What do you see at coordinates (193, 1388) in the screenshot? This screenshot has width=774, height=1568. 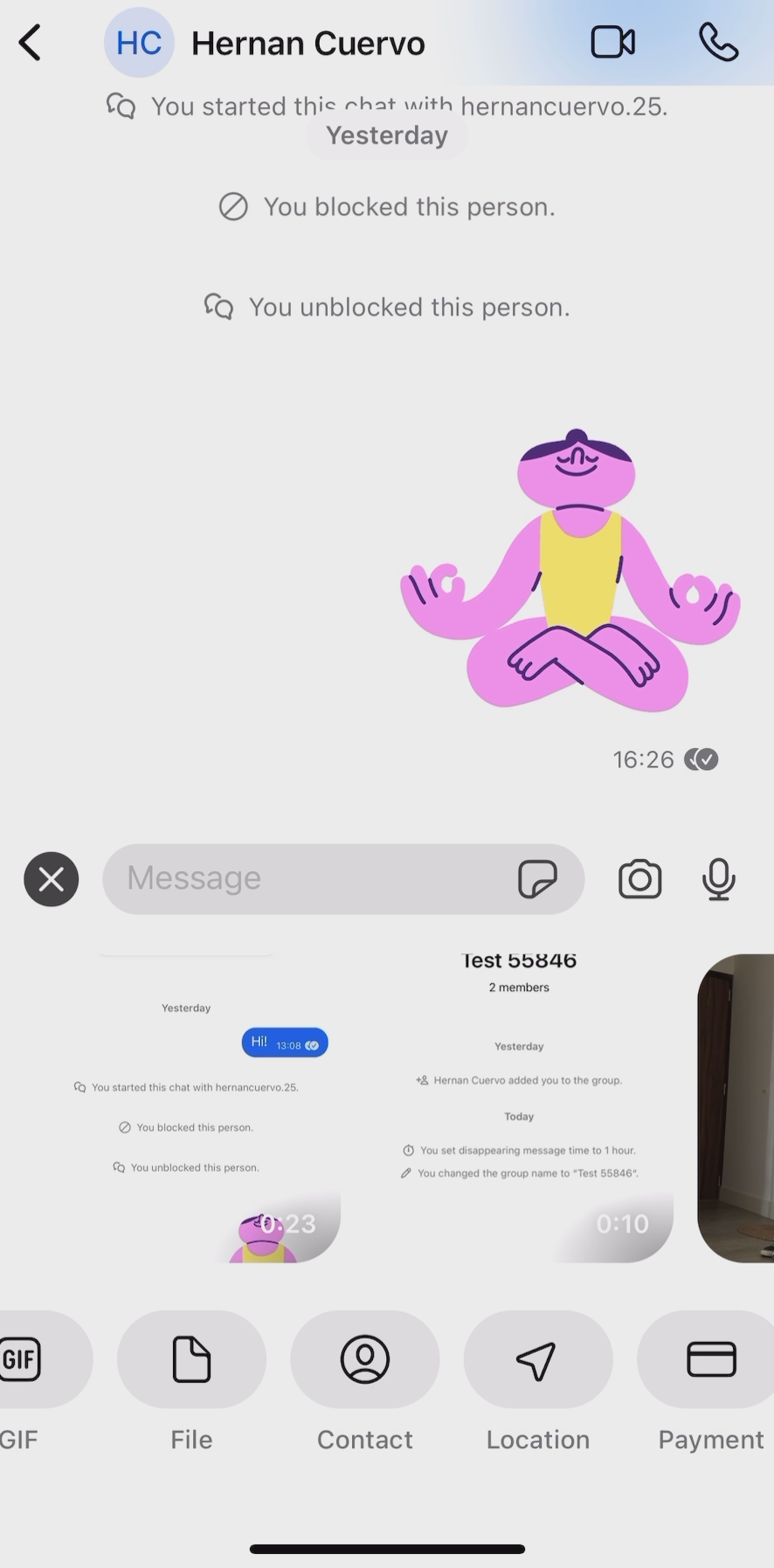 I see `file button` at bounding box center [193, 1388].